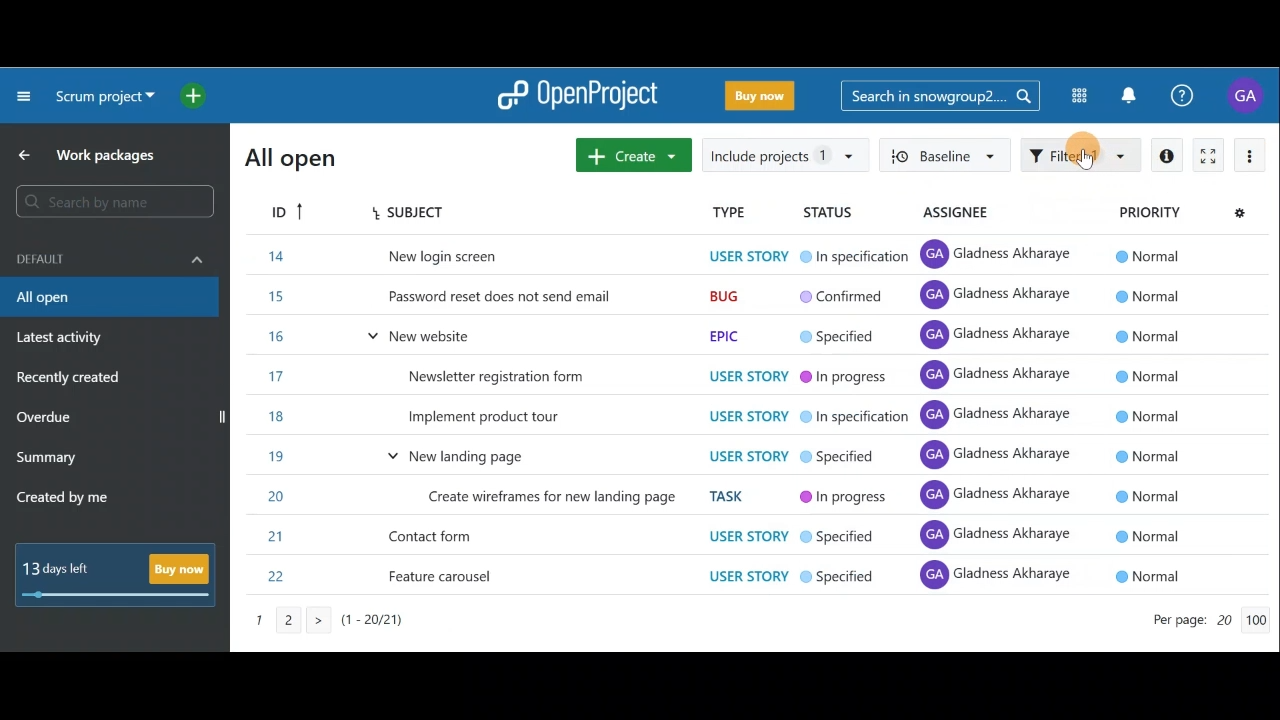 This screenshot has width=1280, height=720. I want to click on Item 8, so click(727, 536).